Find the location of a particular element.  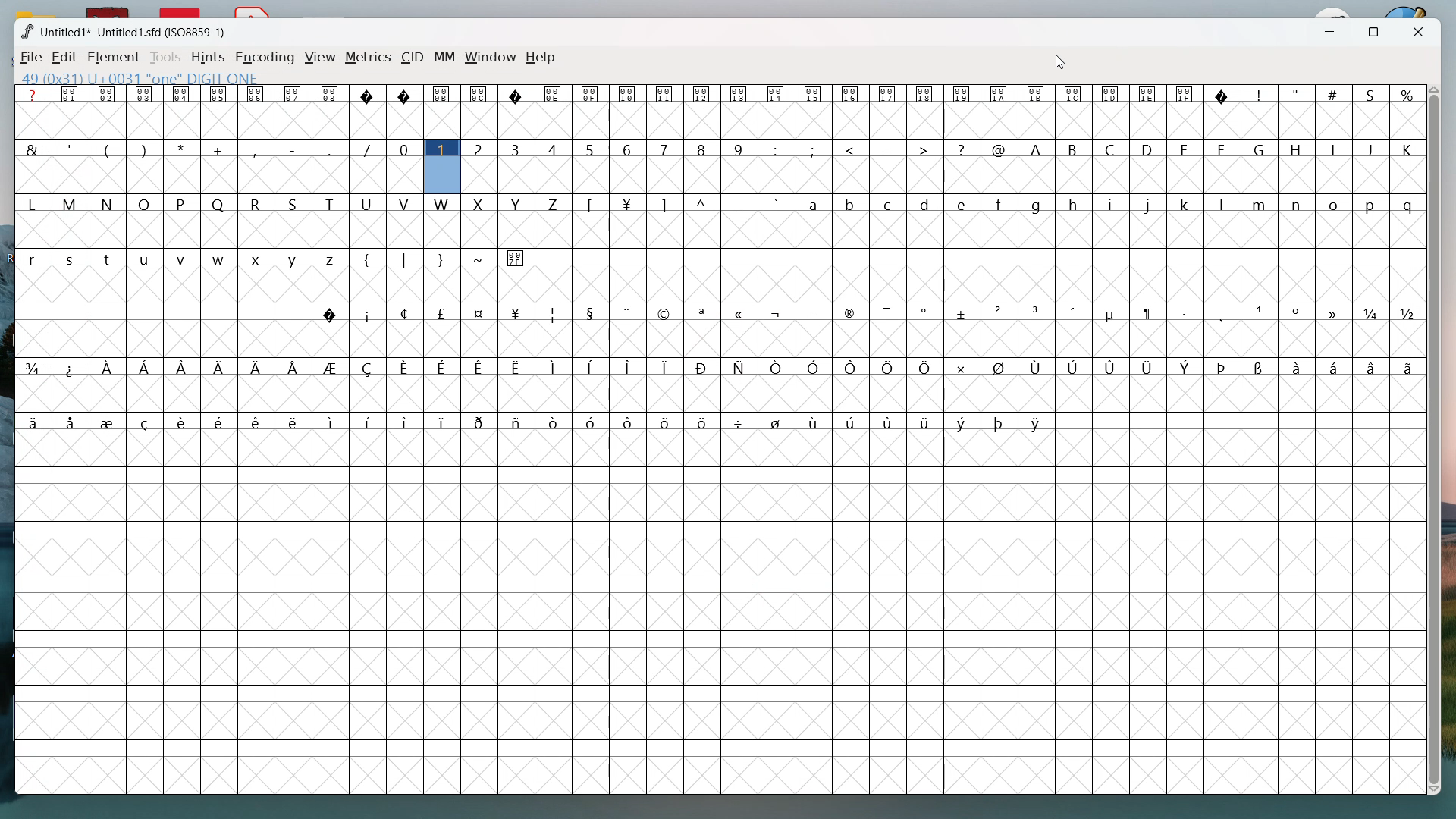

symbol is located at coordinates (1372, 367).